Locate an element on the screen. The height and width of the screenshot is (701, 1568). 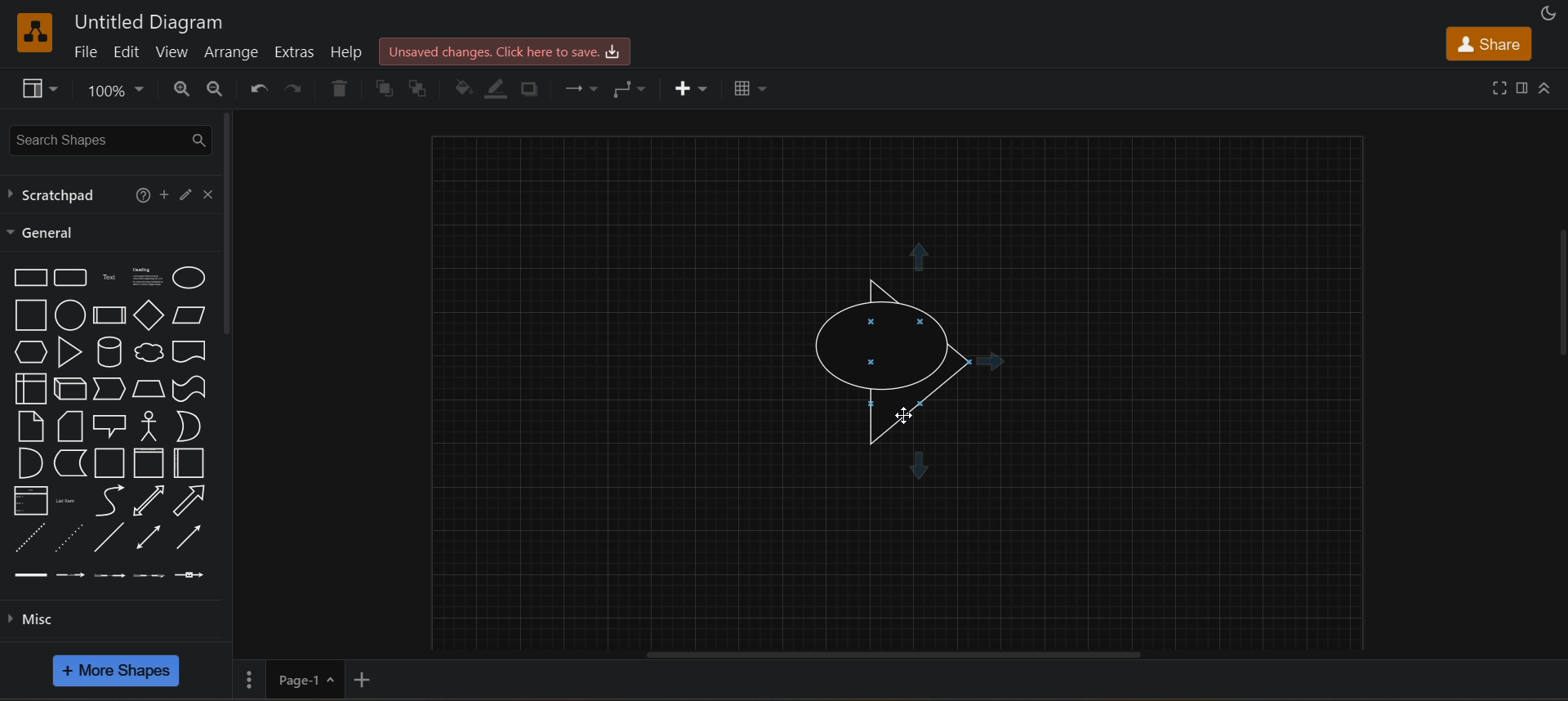
edit is located at coordinates (188, 193).